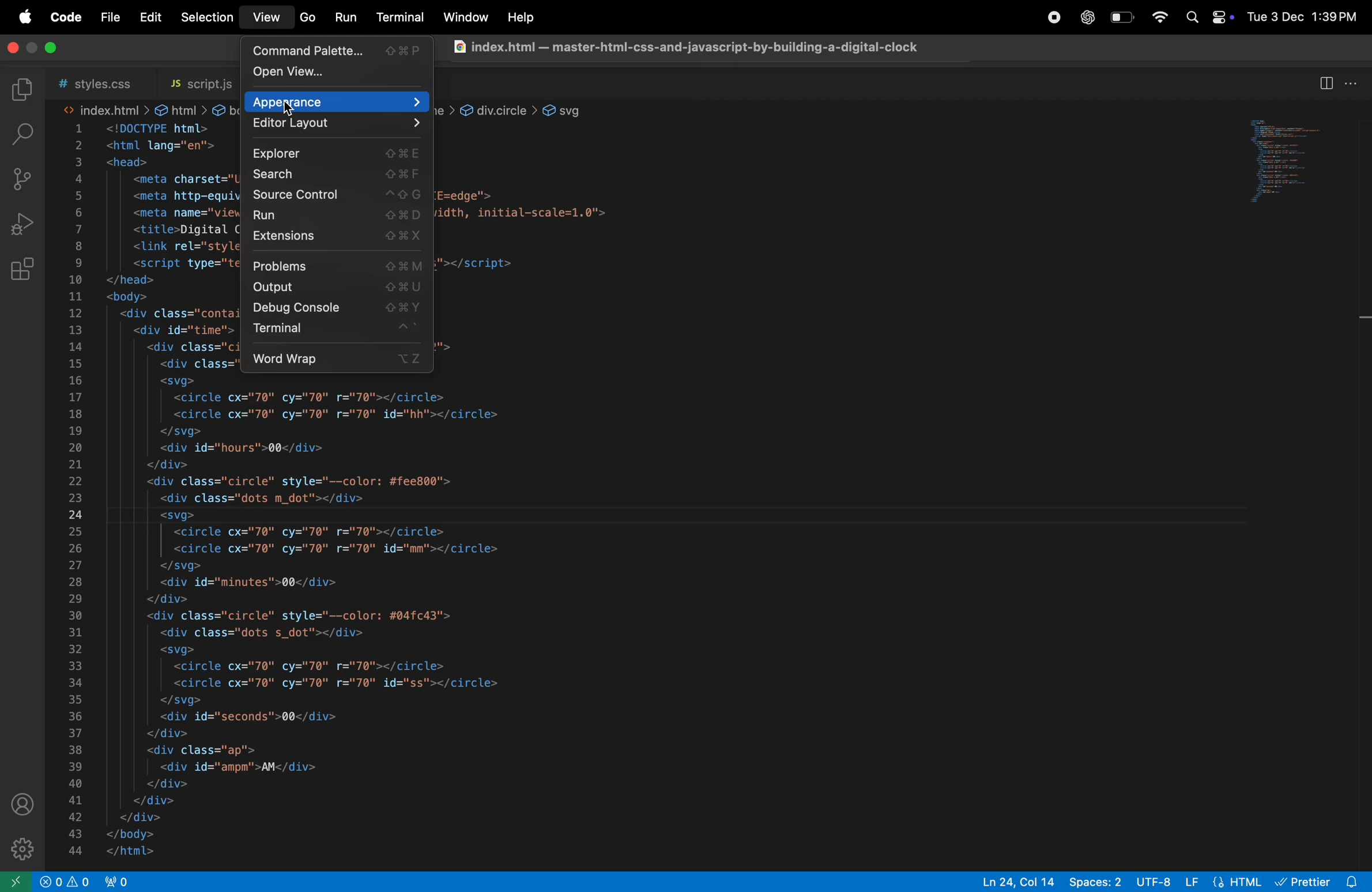 This screenshot has width=1372, height=892. What do you see at coordinates (335, 288) in the screenshot?
I see `output` at bounding box center [335, 288].